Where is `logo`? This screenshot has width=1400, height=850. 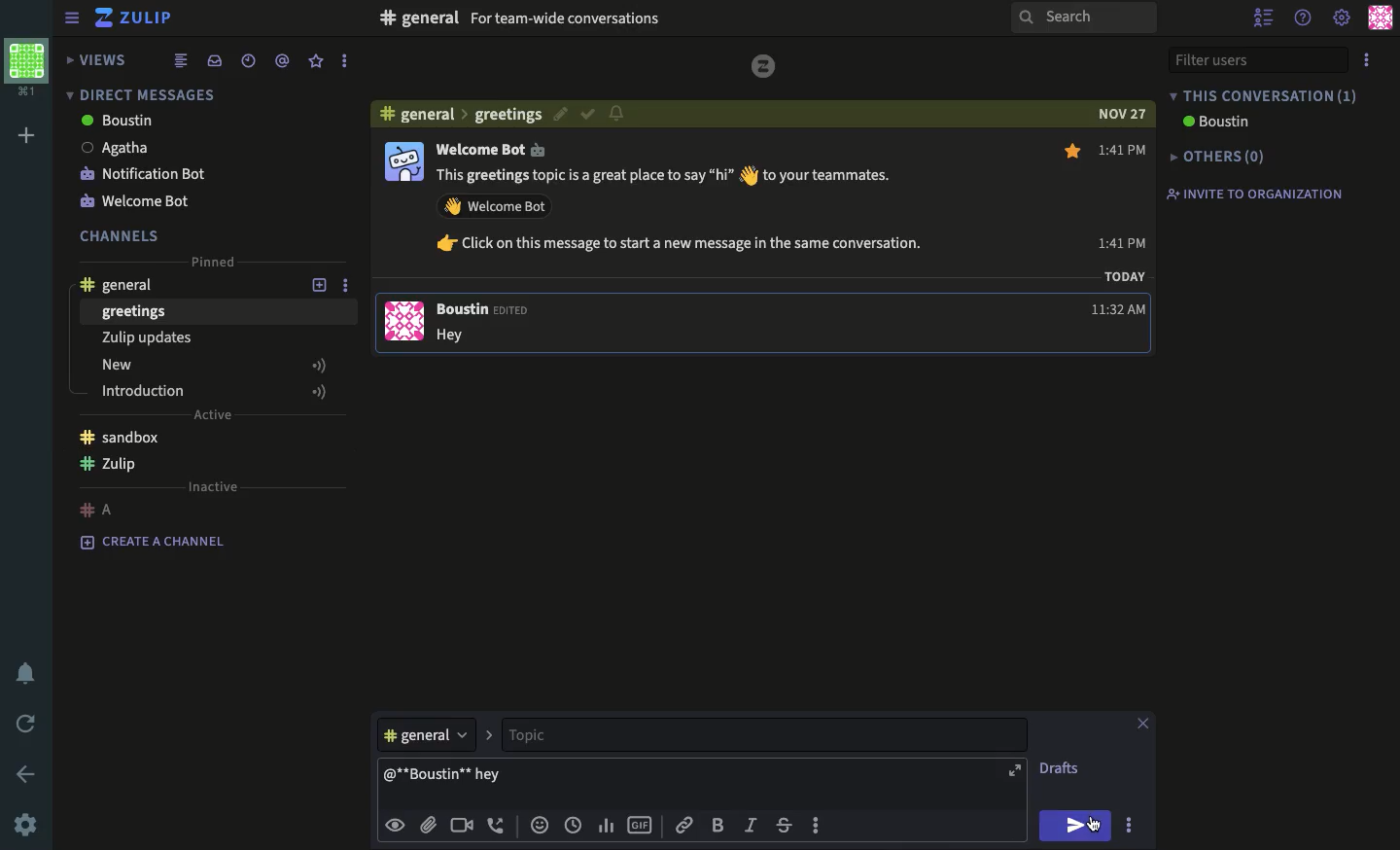 logo is located at coordinates (764, 66).